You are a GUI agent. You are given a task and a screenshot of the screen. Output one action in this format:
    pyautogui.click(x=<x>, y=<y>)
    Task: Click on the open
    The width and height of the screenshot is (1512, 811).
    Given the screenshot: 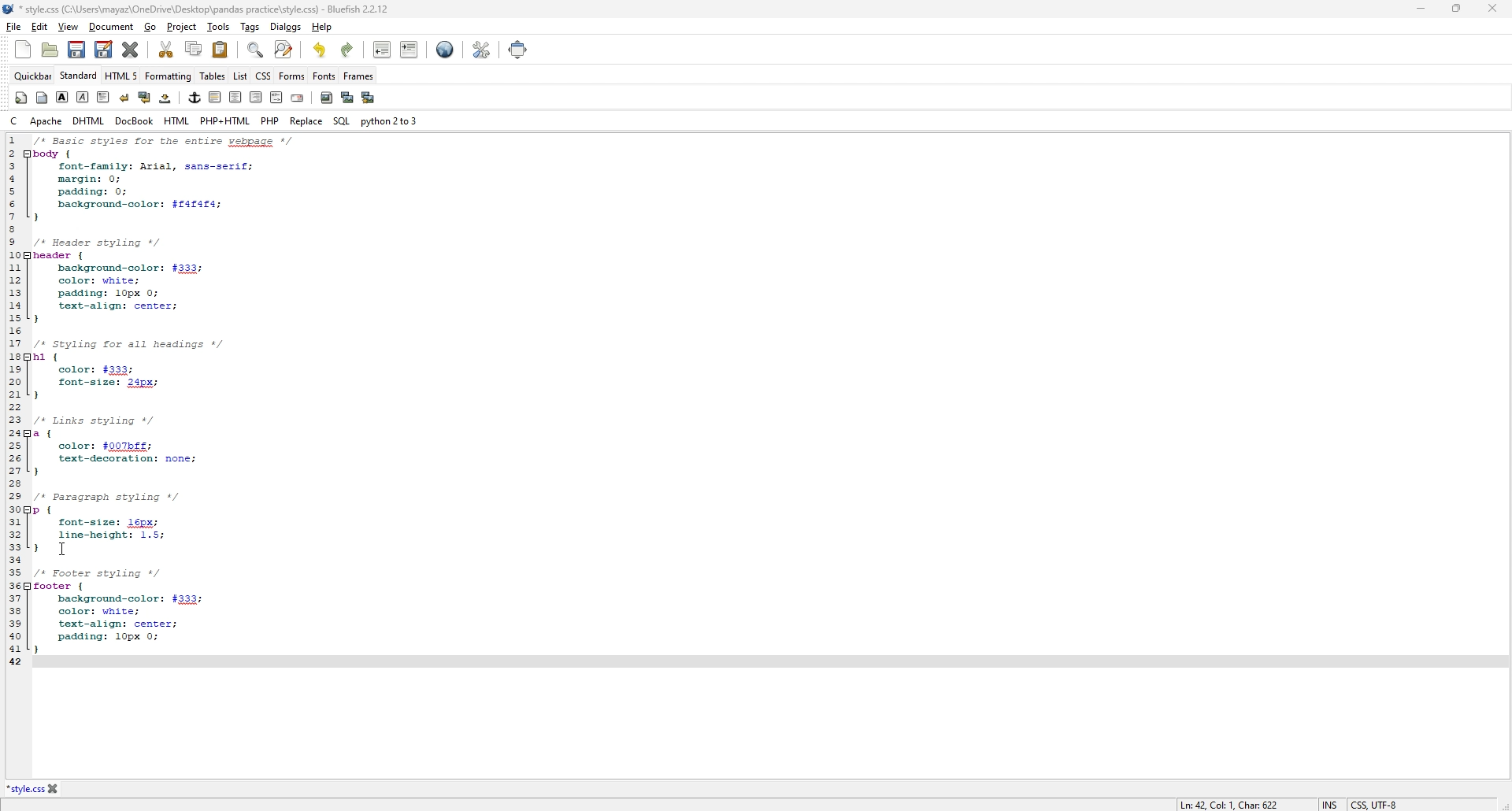 What is the action you would take?
    pyautogui.click(x=50, y=50)
    